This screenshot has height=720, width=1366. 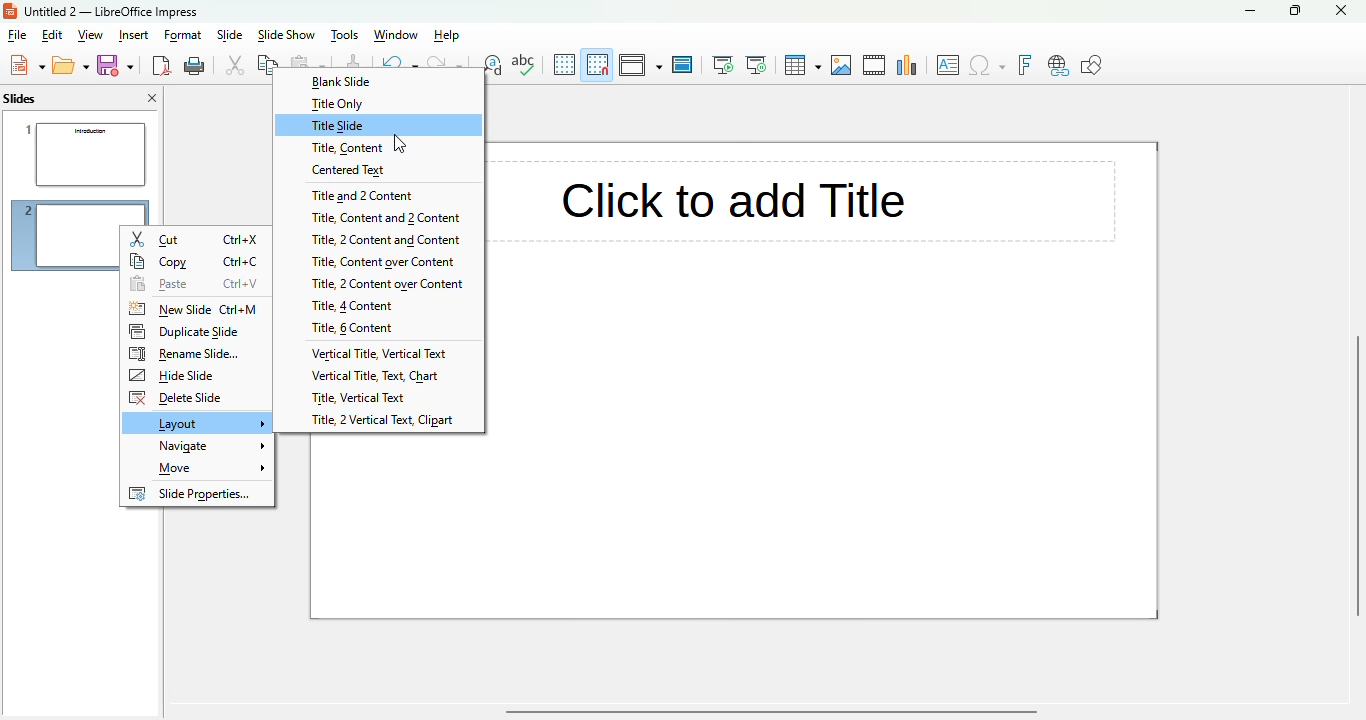 What do you see at coordinates (723, 65) in the screenshot?
I see `start from first slide` at bounding box center [723, 65].